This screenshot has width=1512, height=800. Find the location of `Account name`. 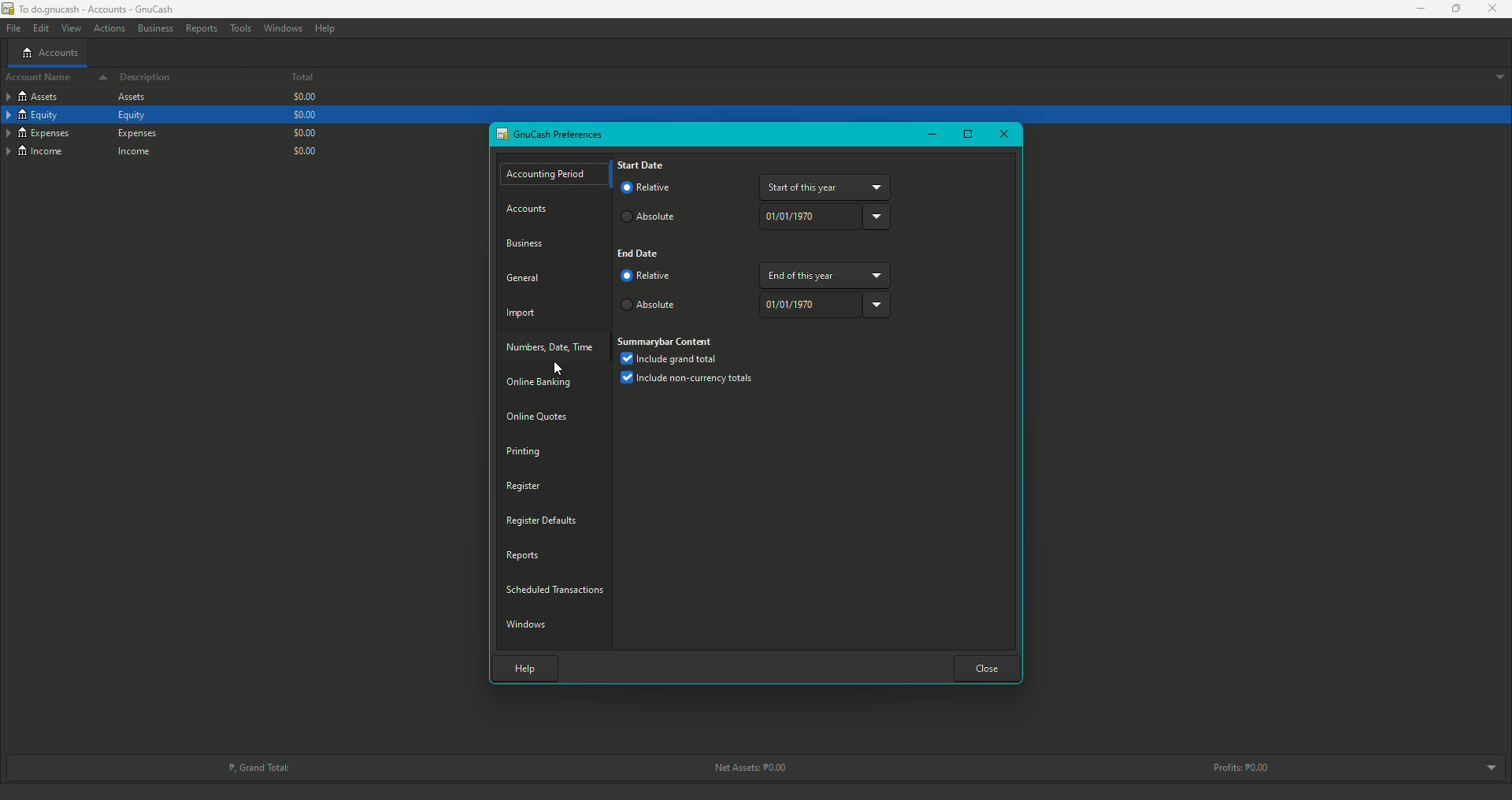

Account name is located at coordinates (52, 79).